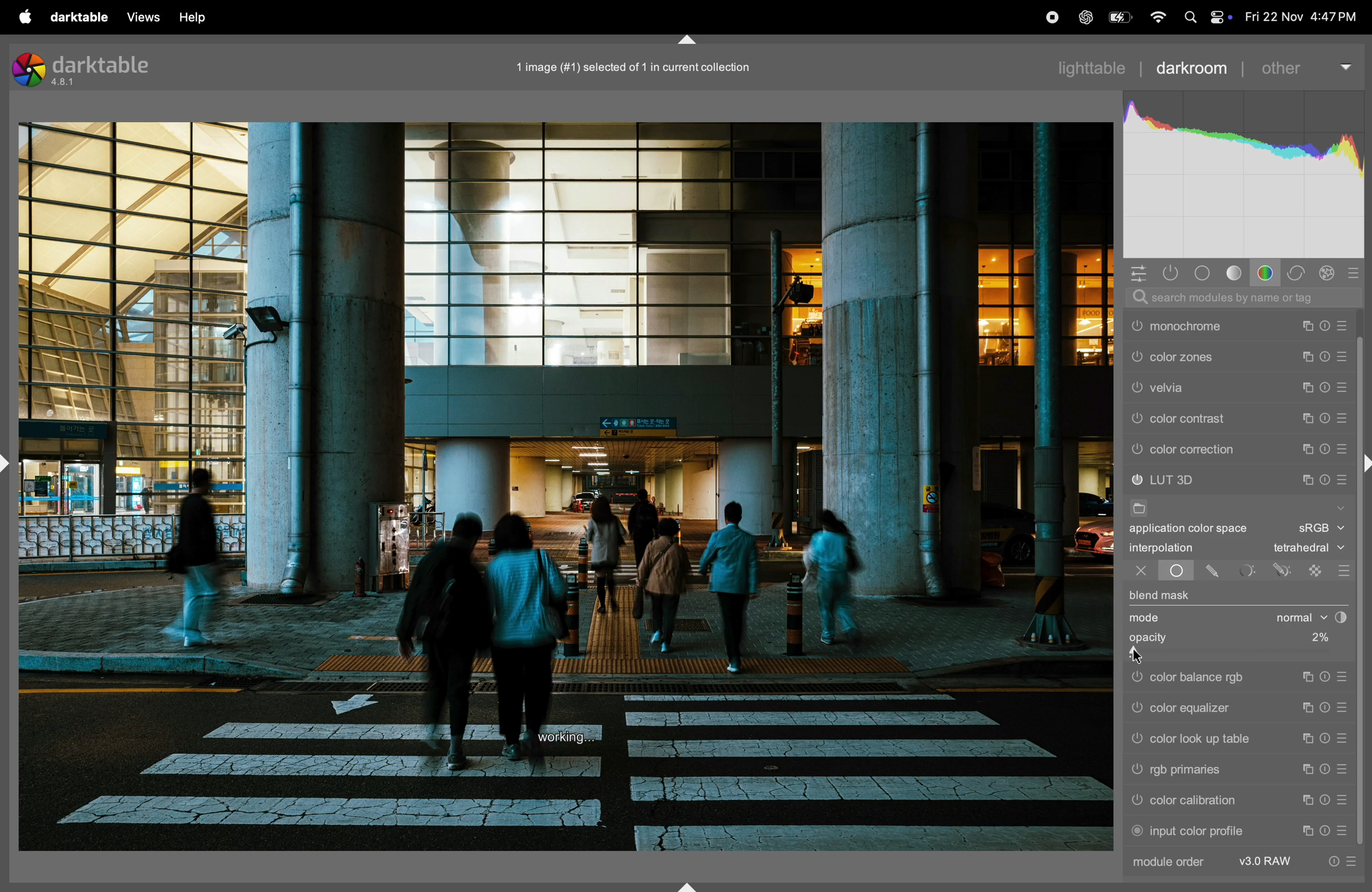  What do you see at coordinates (1205, 274) in the screenshot?
I see `base` at bounding box center [1205, 274].